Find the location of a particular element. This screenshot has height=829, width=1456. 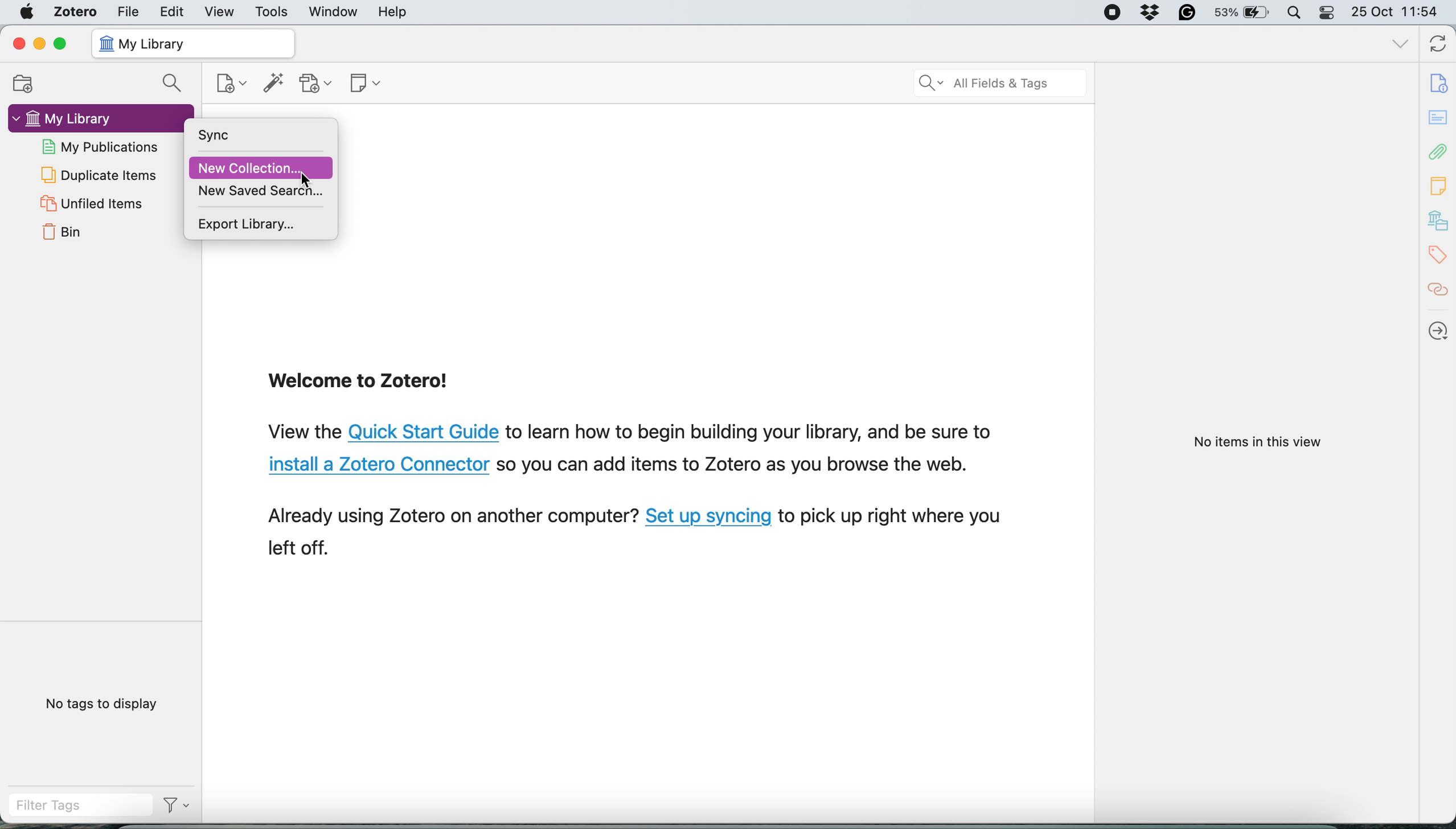

tags is located at coordinates (1439, 256).